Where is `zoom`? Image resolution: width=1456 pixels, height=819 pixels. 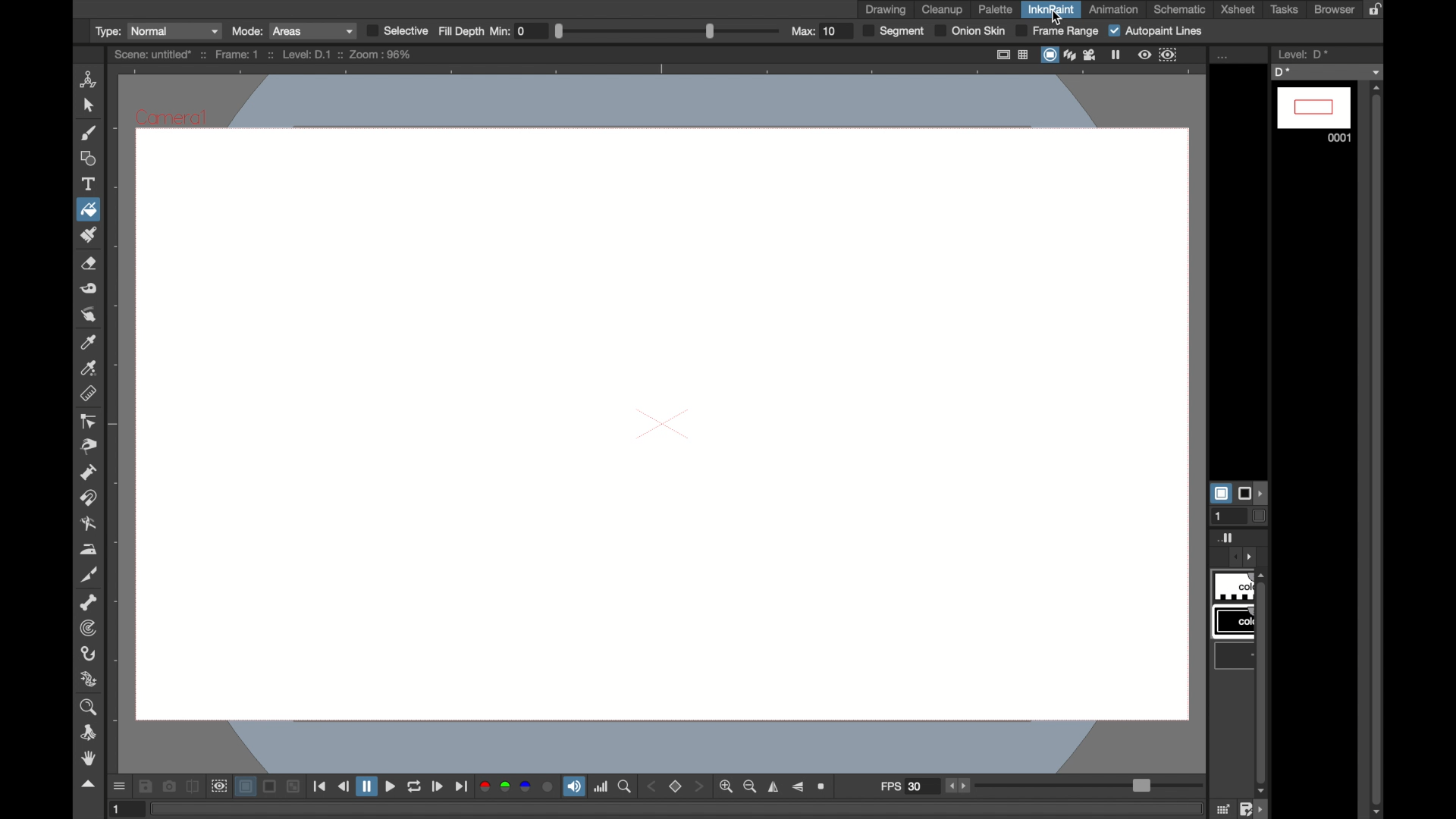
zoom is located at coordinates (626, 787).